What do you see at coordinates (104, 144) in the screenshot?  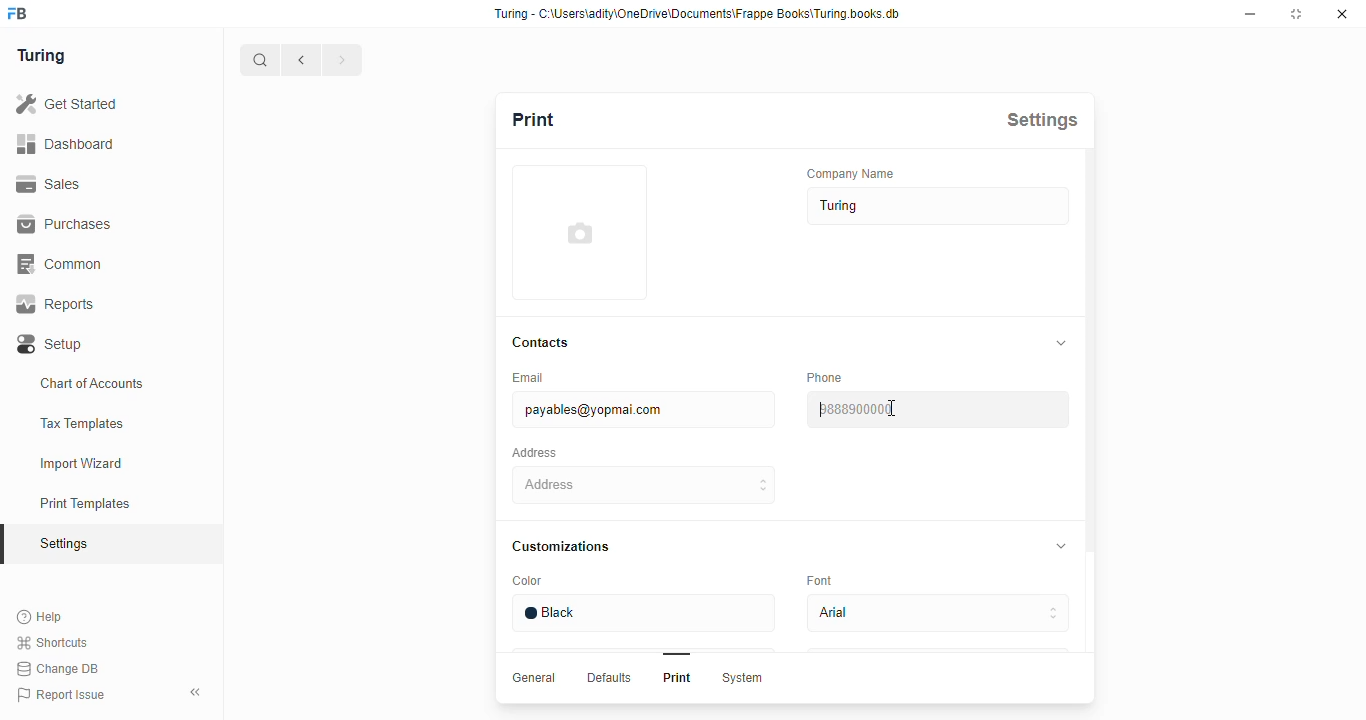 I see `Dashboard` at bounding box center [104, 144].